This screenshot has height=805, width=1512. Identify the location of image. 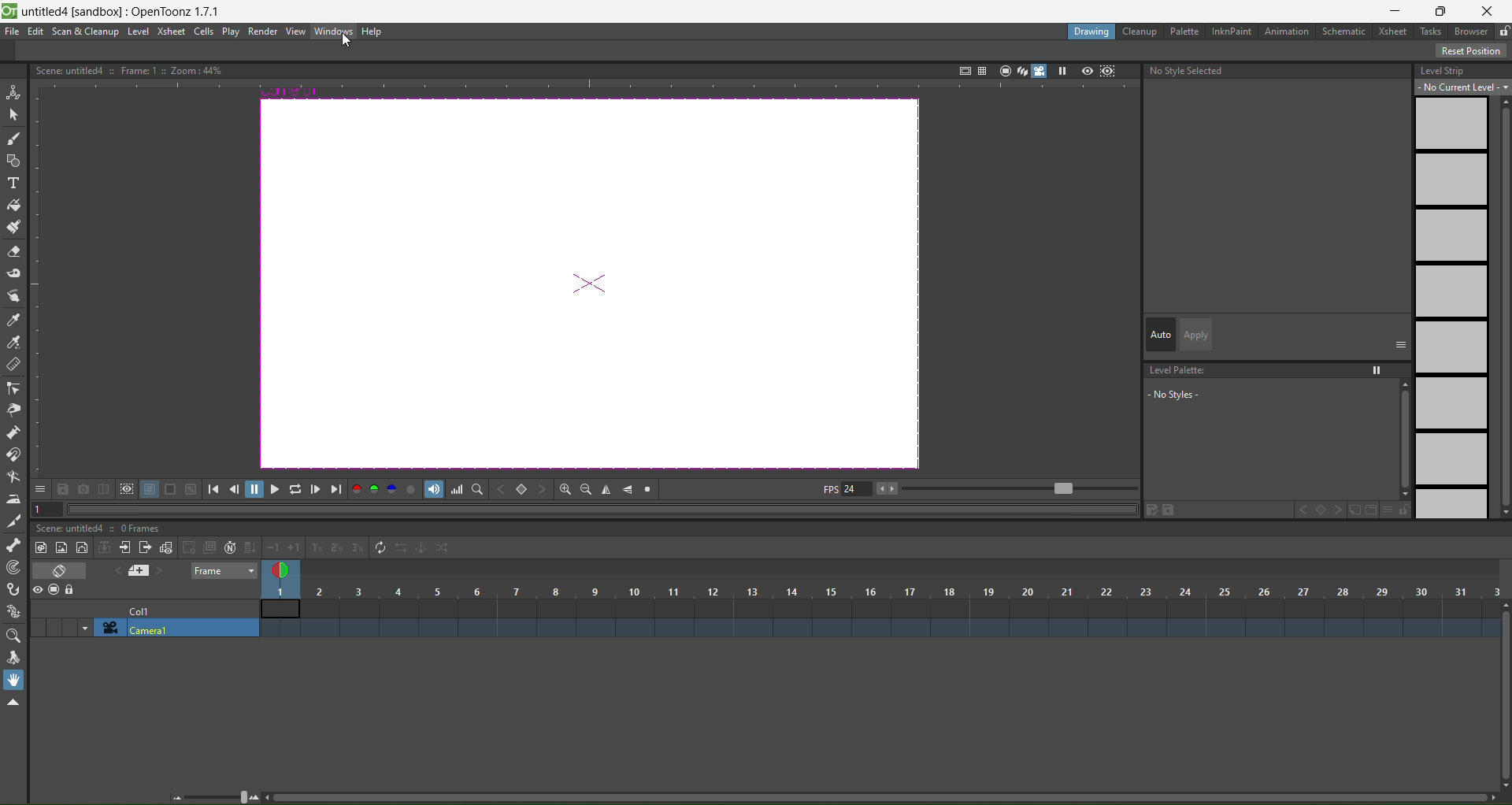
(586, 287).